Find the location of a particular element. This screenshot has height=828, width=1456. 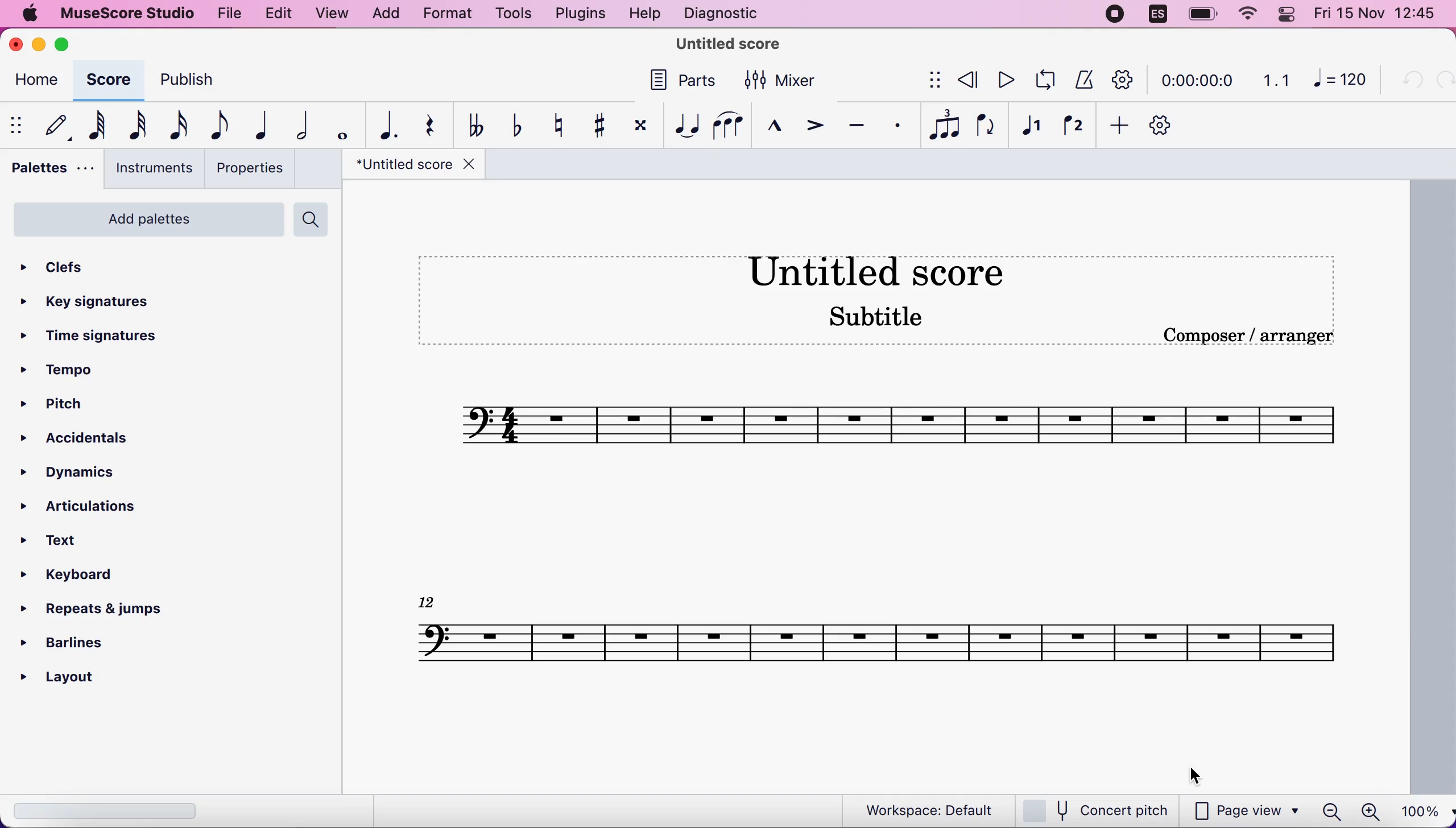

key signatures is located at coordinates (84, 299).